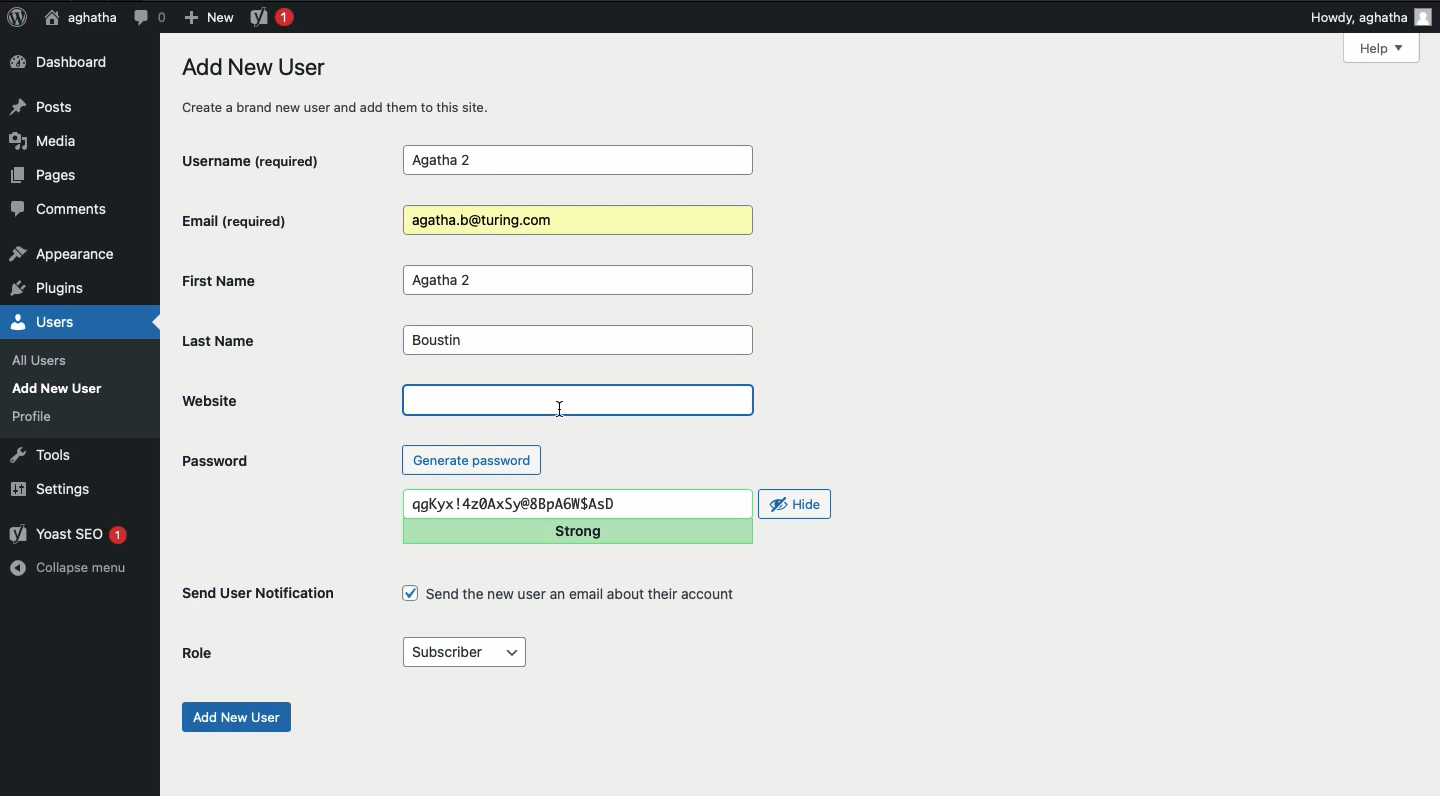 This screenshot has height=796, width=1440. I want to click on Role, so click(200, 651).